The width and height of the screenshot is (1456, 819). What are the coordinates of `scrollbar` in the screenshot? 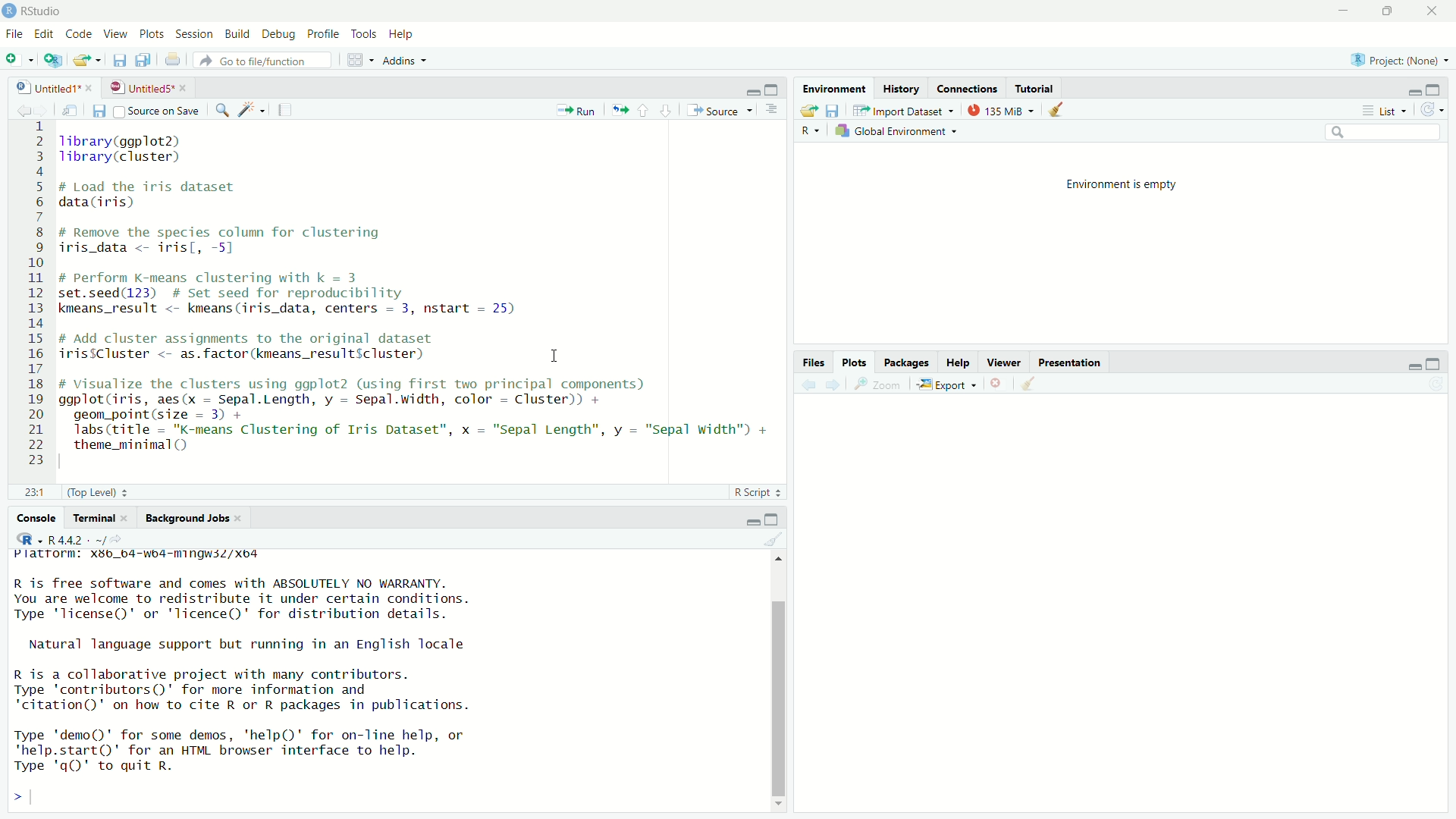 It's located at (780, 695).